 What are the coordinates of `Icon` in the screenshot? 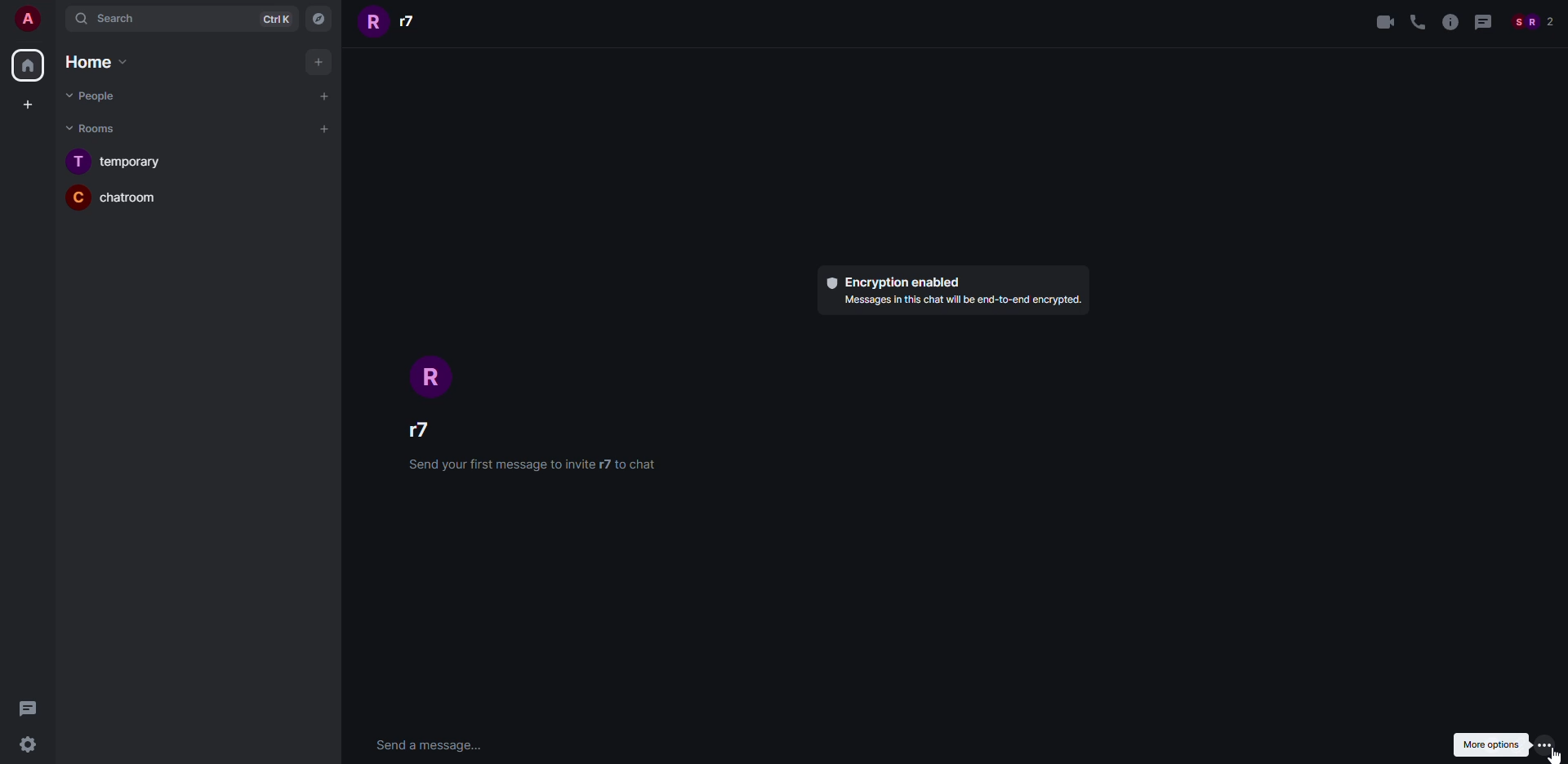 It's located at (437, 377).